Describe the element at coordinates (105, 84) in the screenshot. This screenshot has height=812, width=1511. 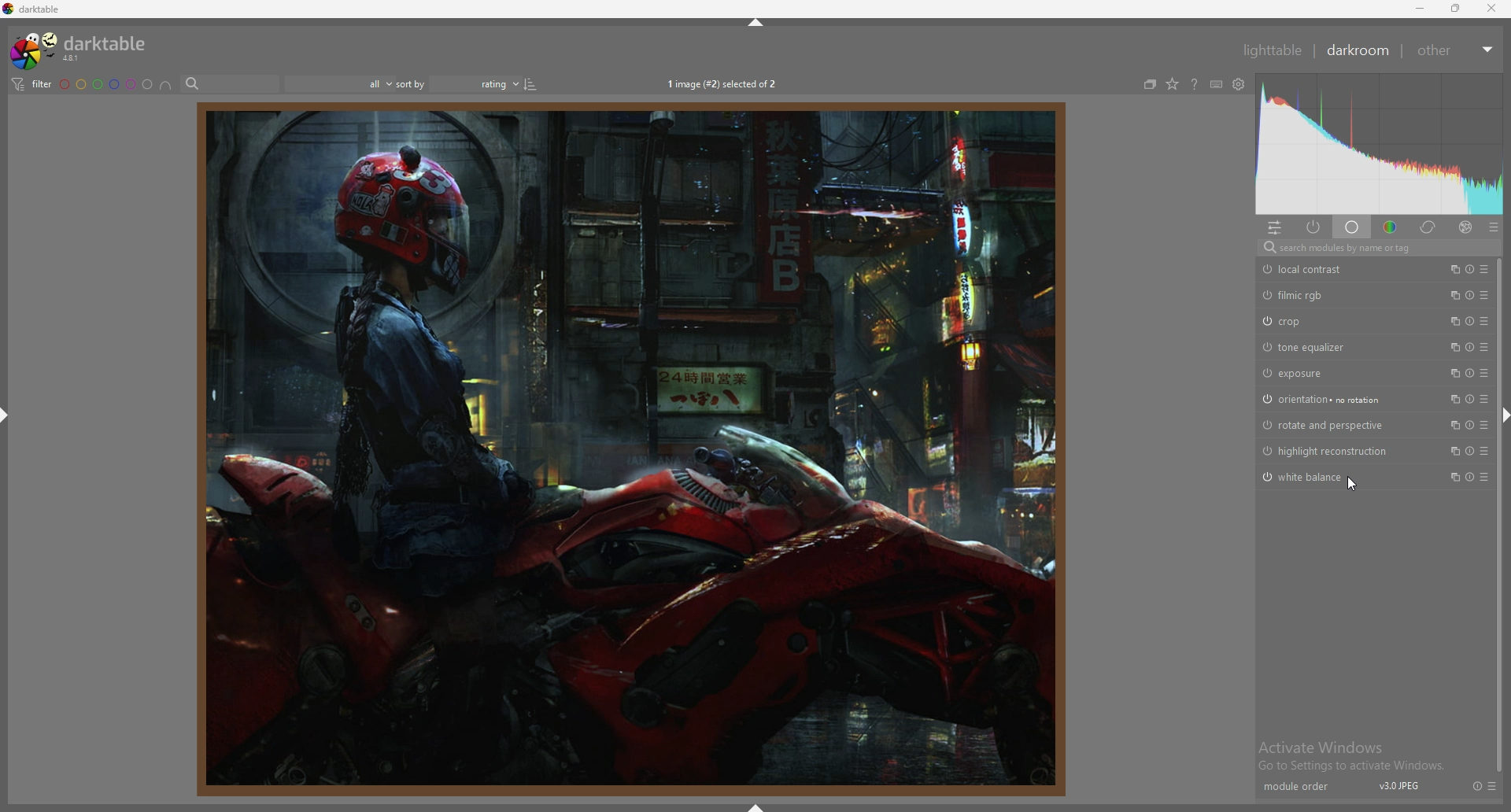
I see `color labels` at that location.